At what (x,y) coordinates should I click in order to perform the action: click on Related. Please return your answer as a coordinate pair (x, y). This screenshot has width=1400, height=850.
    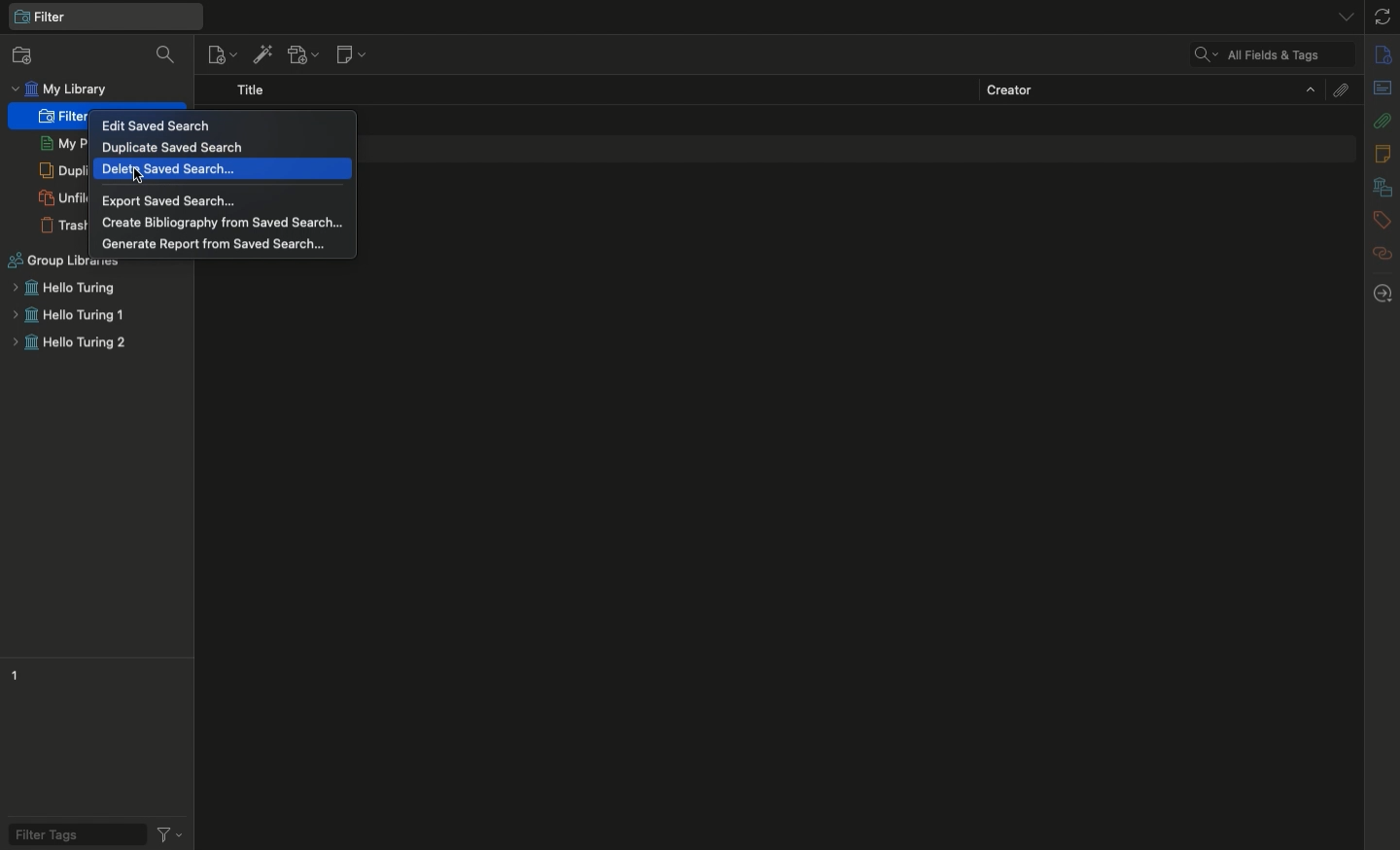
    Looking at the image, I should click on (1382, 253).